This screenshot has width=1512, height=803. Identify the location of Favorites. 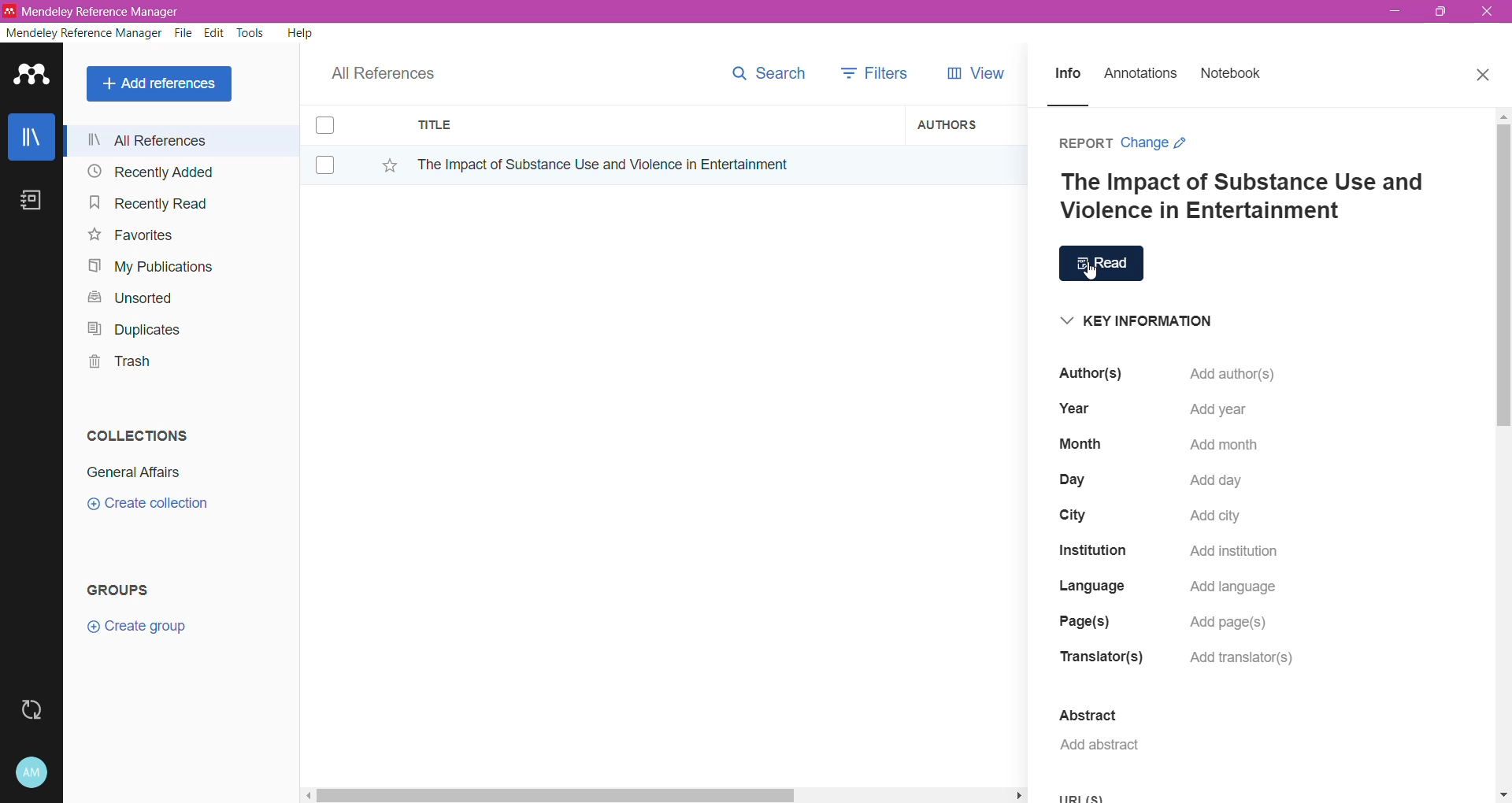
(131, 234).